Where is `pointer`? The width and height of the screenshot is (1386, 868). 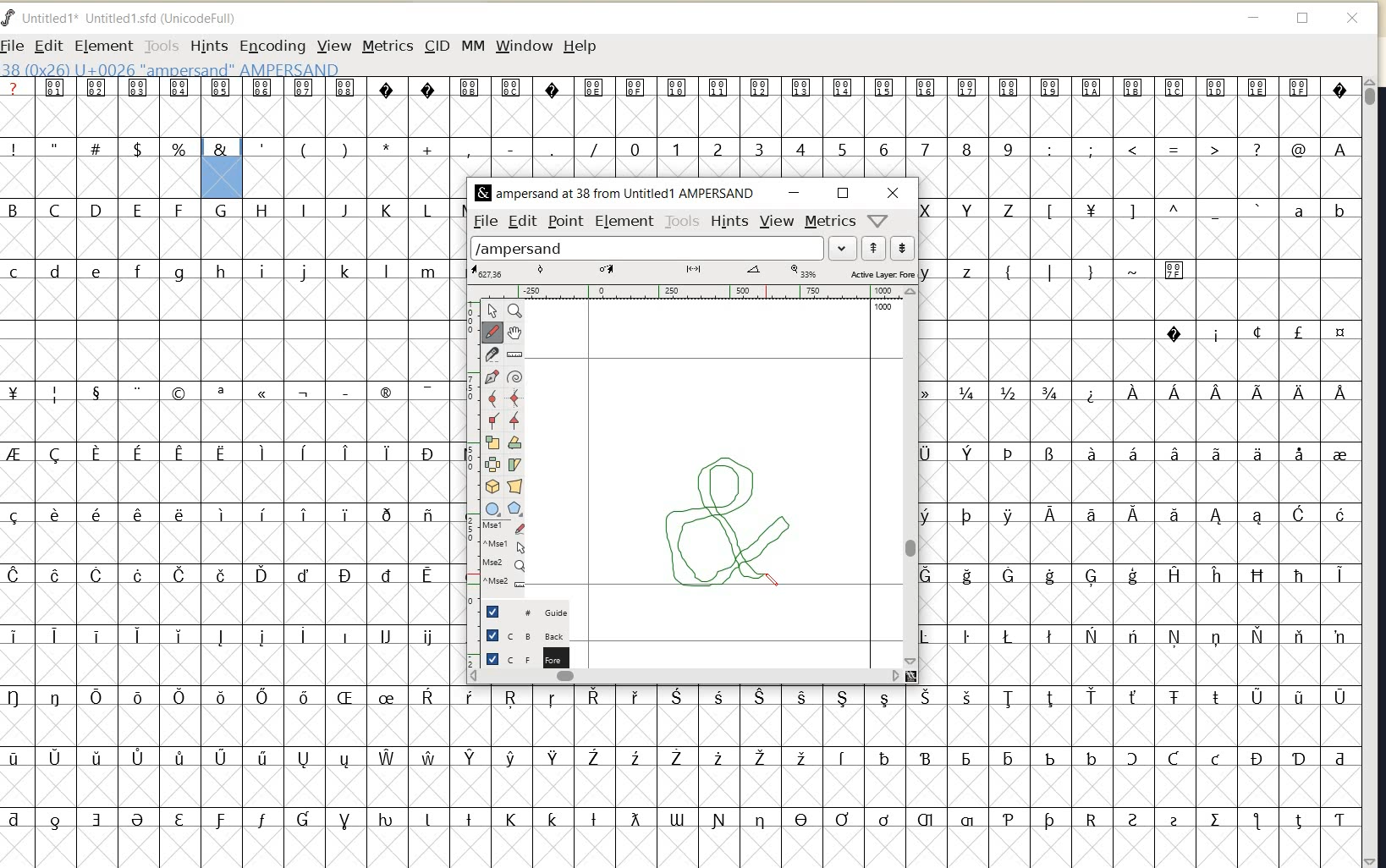
pointer is located at coordinates (493, 310).